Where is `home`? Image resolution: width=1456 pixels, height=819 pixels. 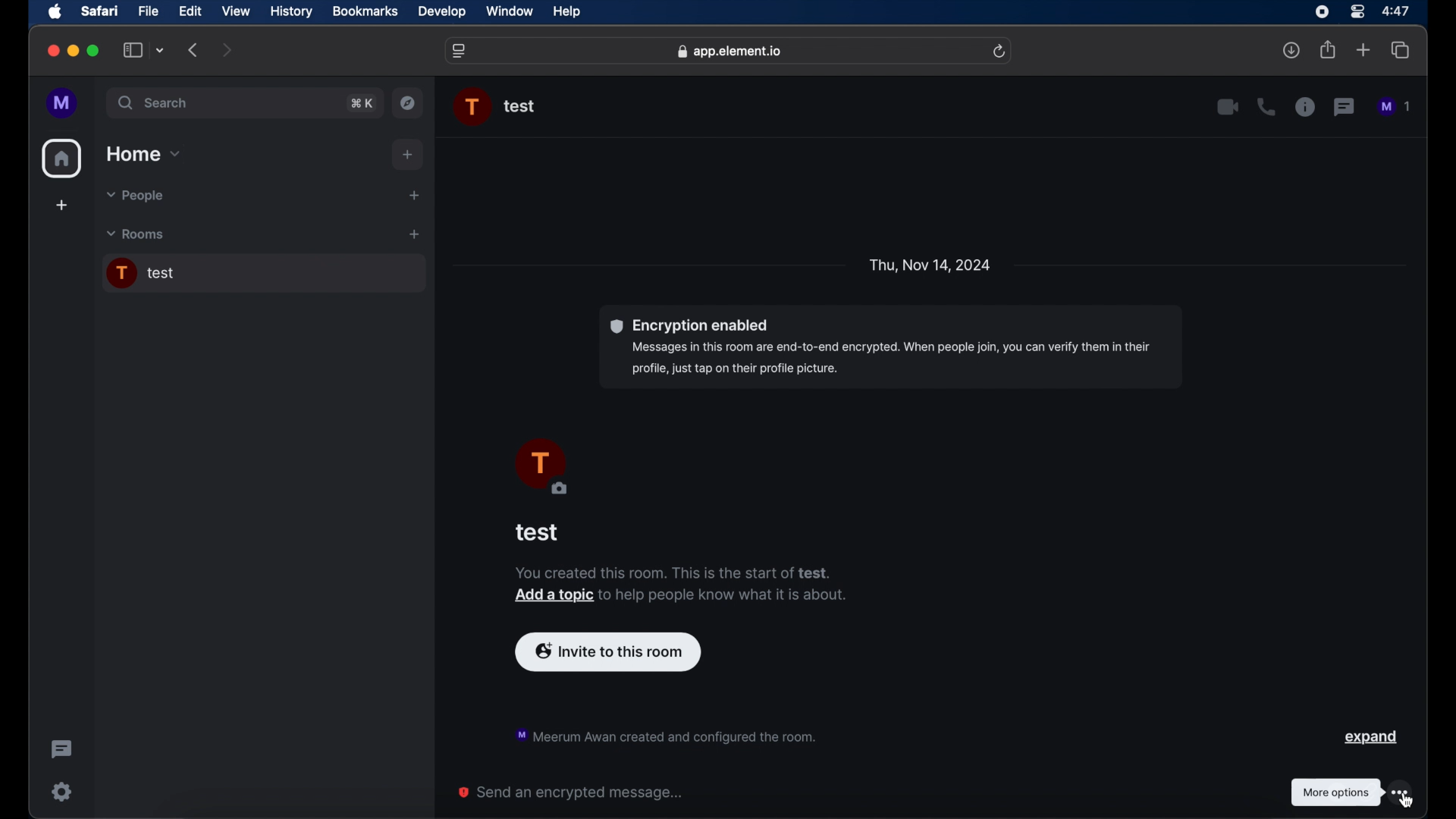
home is located at coordinates (62, 158).